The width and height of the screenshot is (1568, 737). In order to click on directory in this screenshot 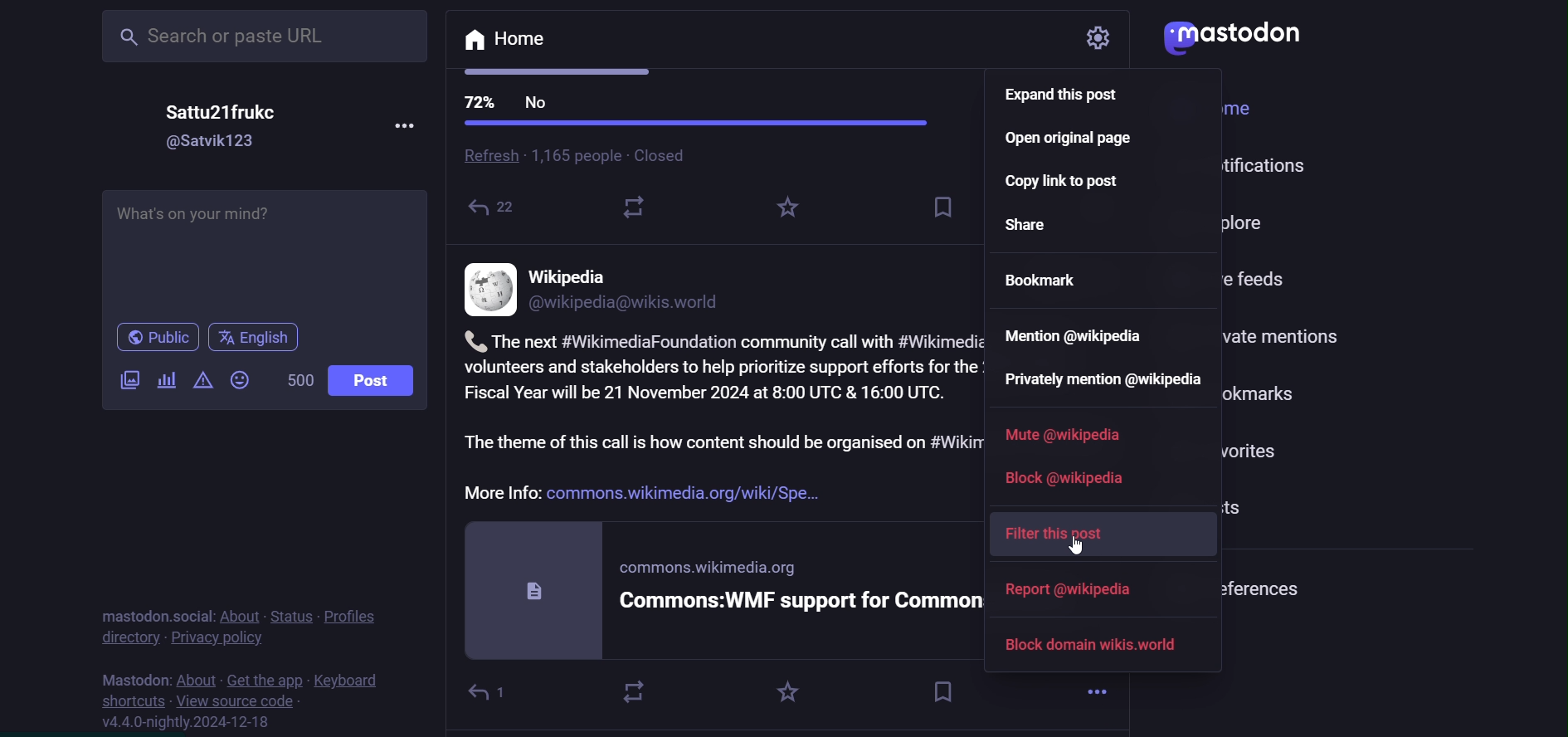, I will do `click(129, 640)`.